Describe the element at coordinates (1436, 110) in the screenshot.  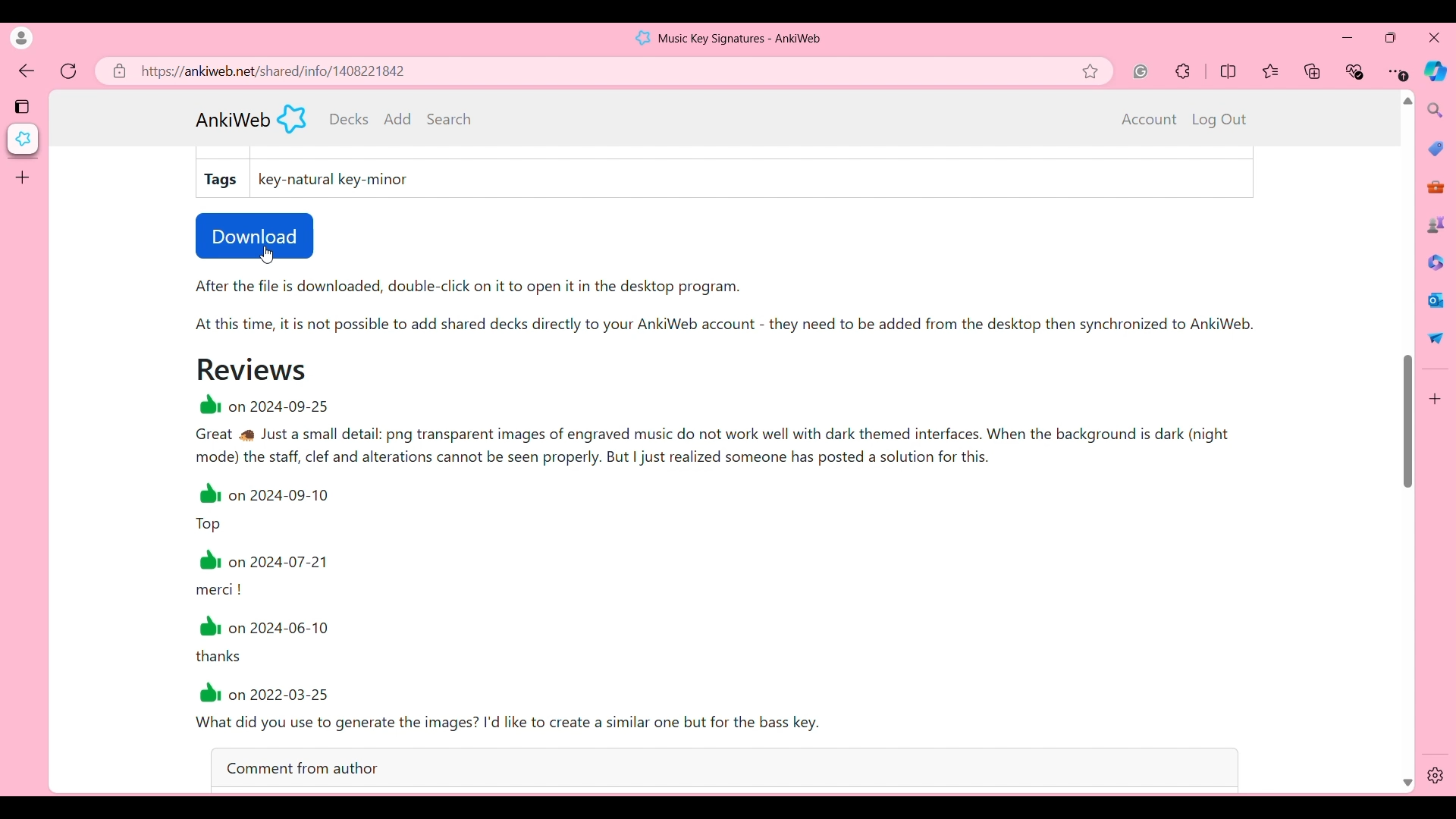
I see `Search` at that location.